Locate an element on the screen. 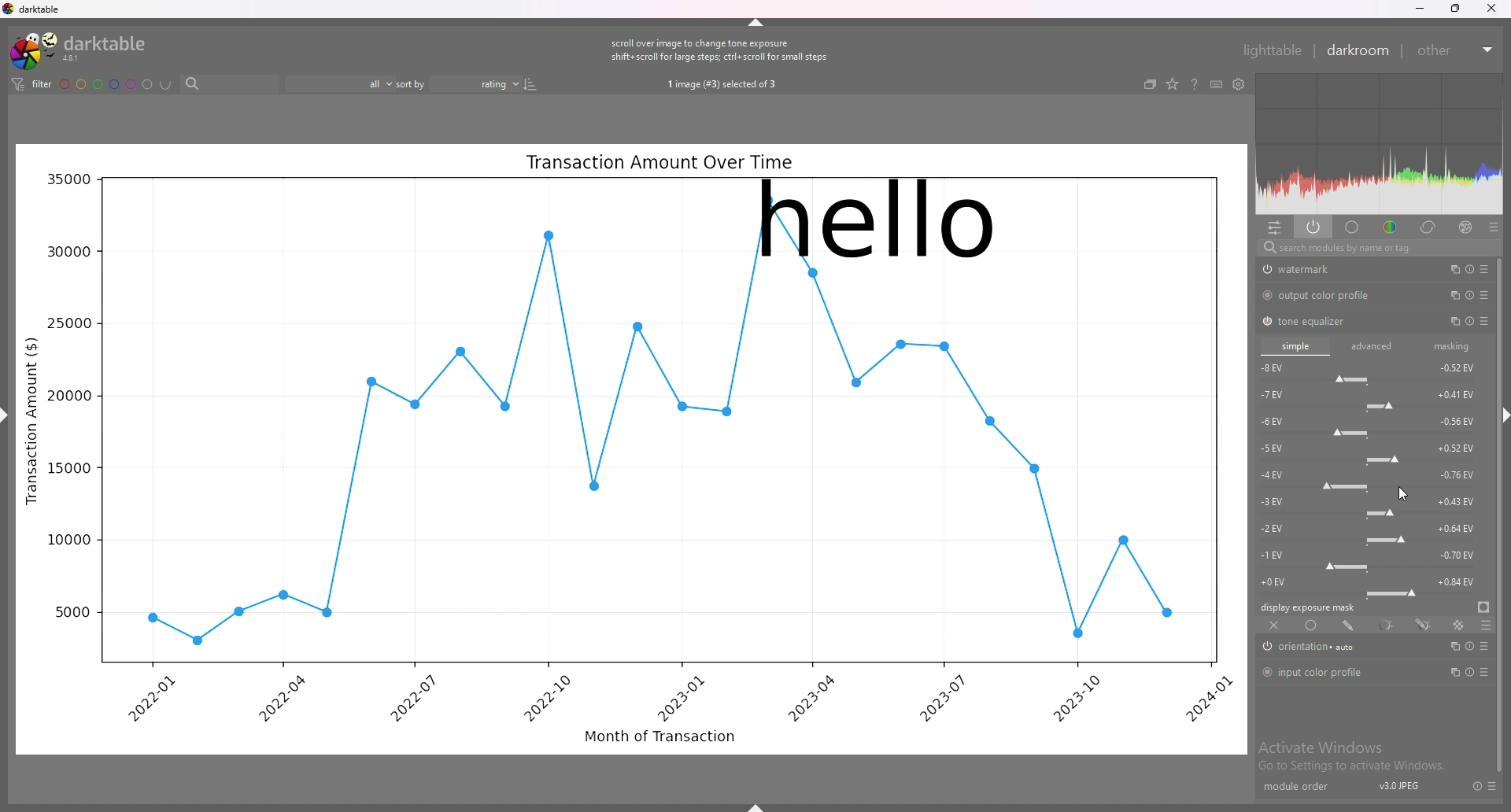 The height and width of the screenshot is (812, 1511). hide is located at coordinates (757, 20).